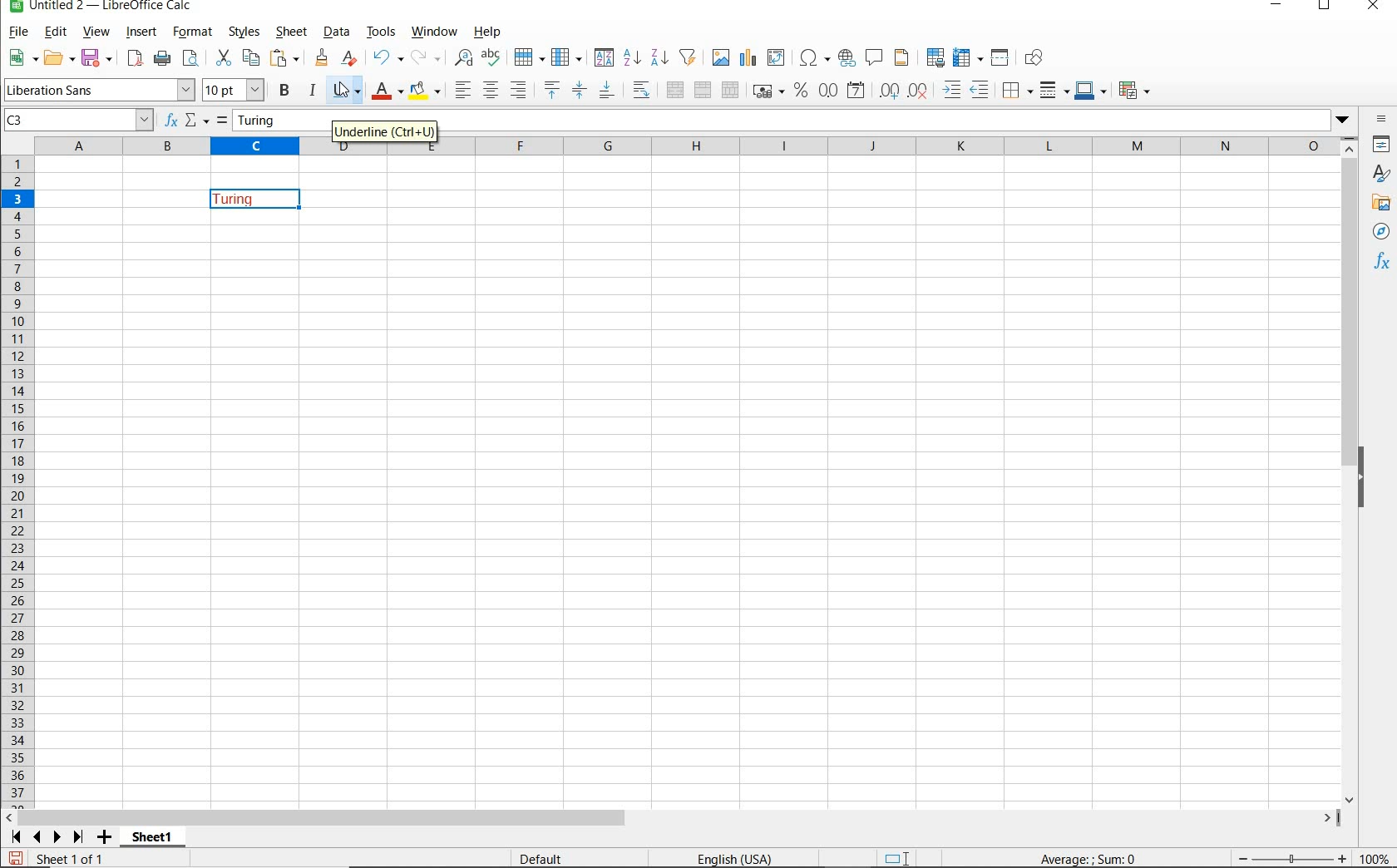 Image resolution: width=1397 pixels, height=868 pixels. Describe the element at coordinates (17, 484) in the screenshot. I see `ROWS` at that location.